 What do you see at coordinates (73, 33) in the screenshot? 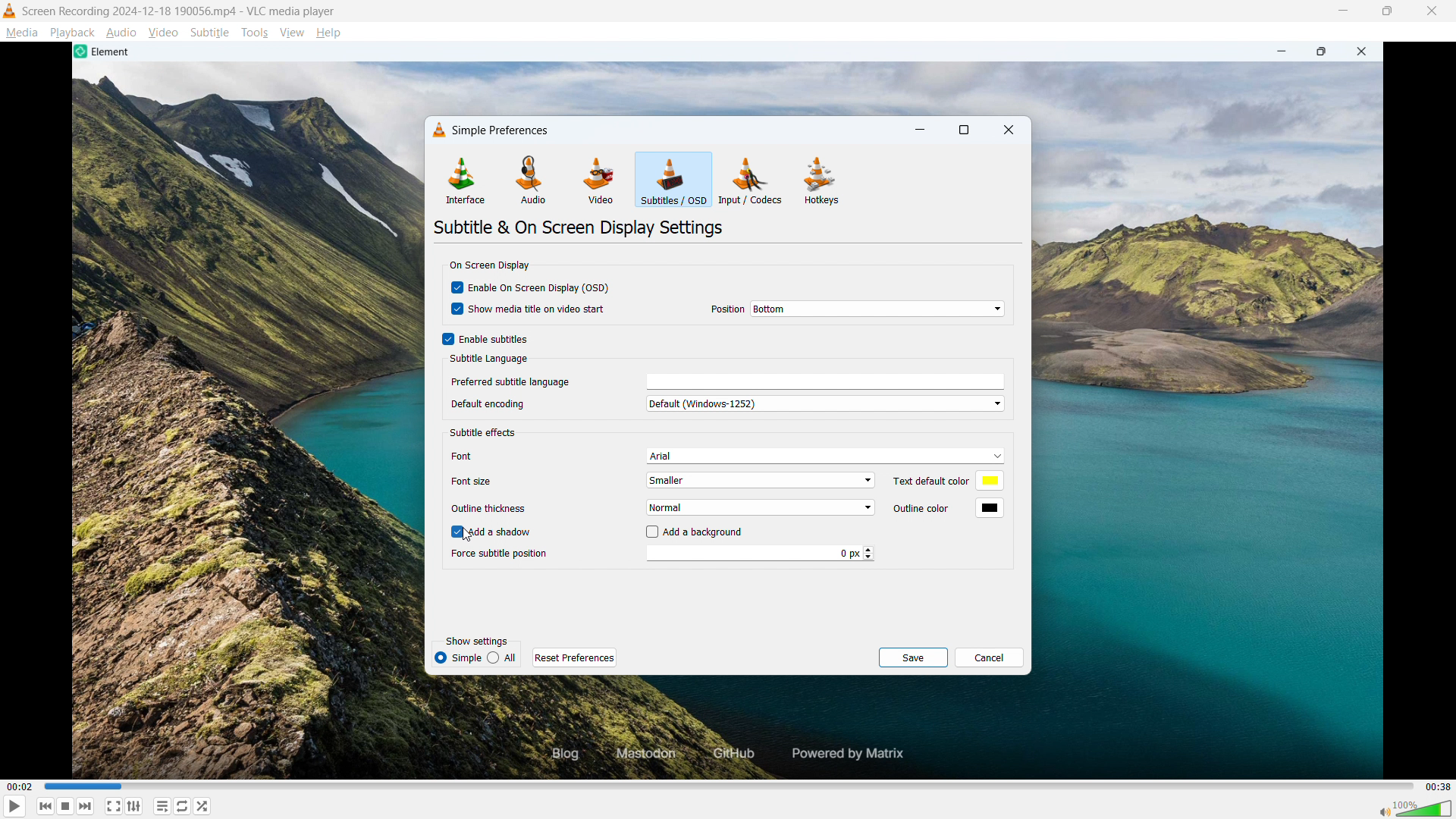
I see `Playback ` at bounding box center [73, 33].